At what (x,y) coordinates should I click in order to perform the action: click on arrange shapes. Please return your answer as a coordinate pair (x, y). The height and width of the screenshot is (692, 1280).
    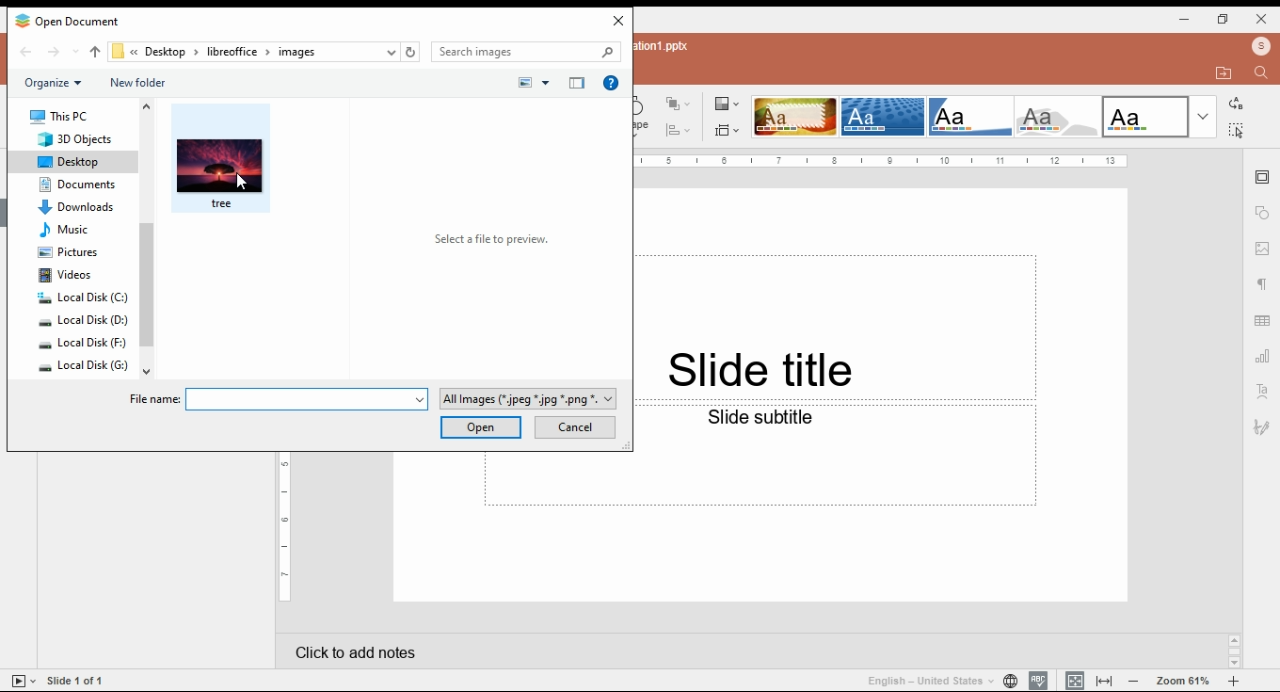
    Looking at the image, I should click on (679, 105).